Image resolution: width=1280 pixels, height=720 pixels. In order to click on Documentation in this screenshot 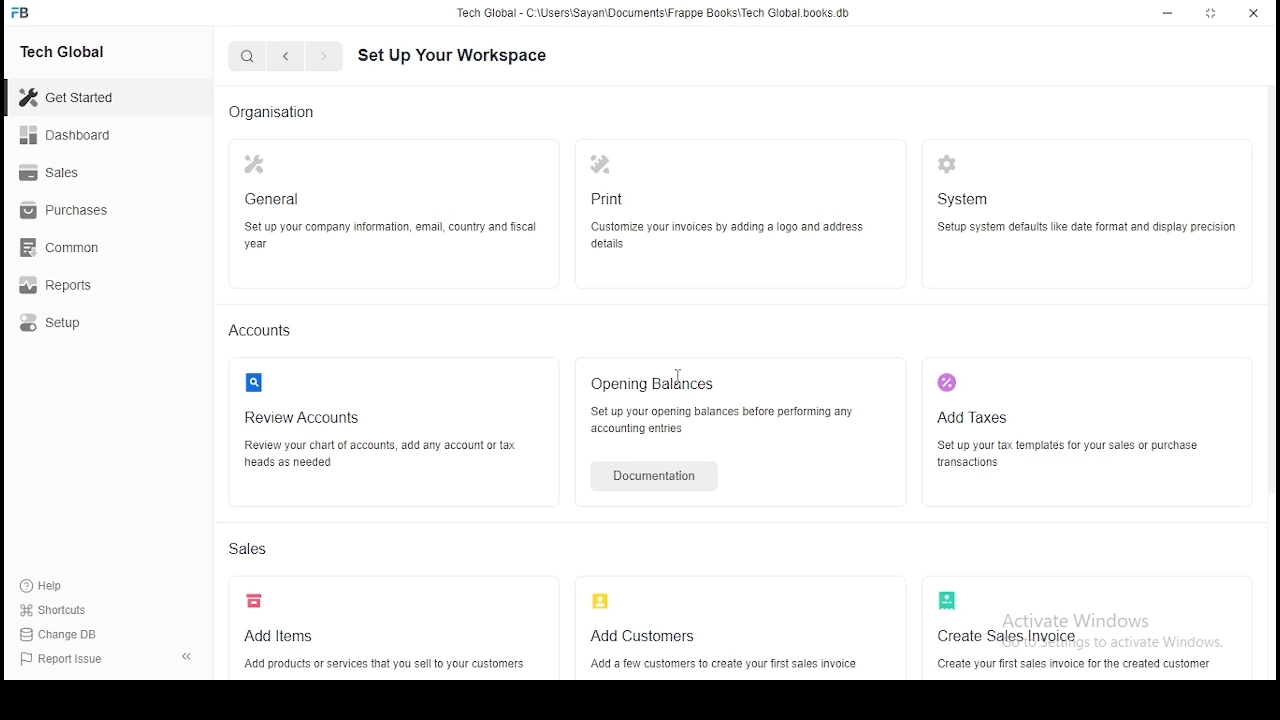, I will do `click(652, 476)`.